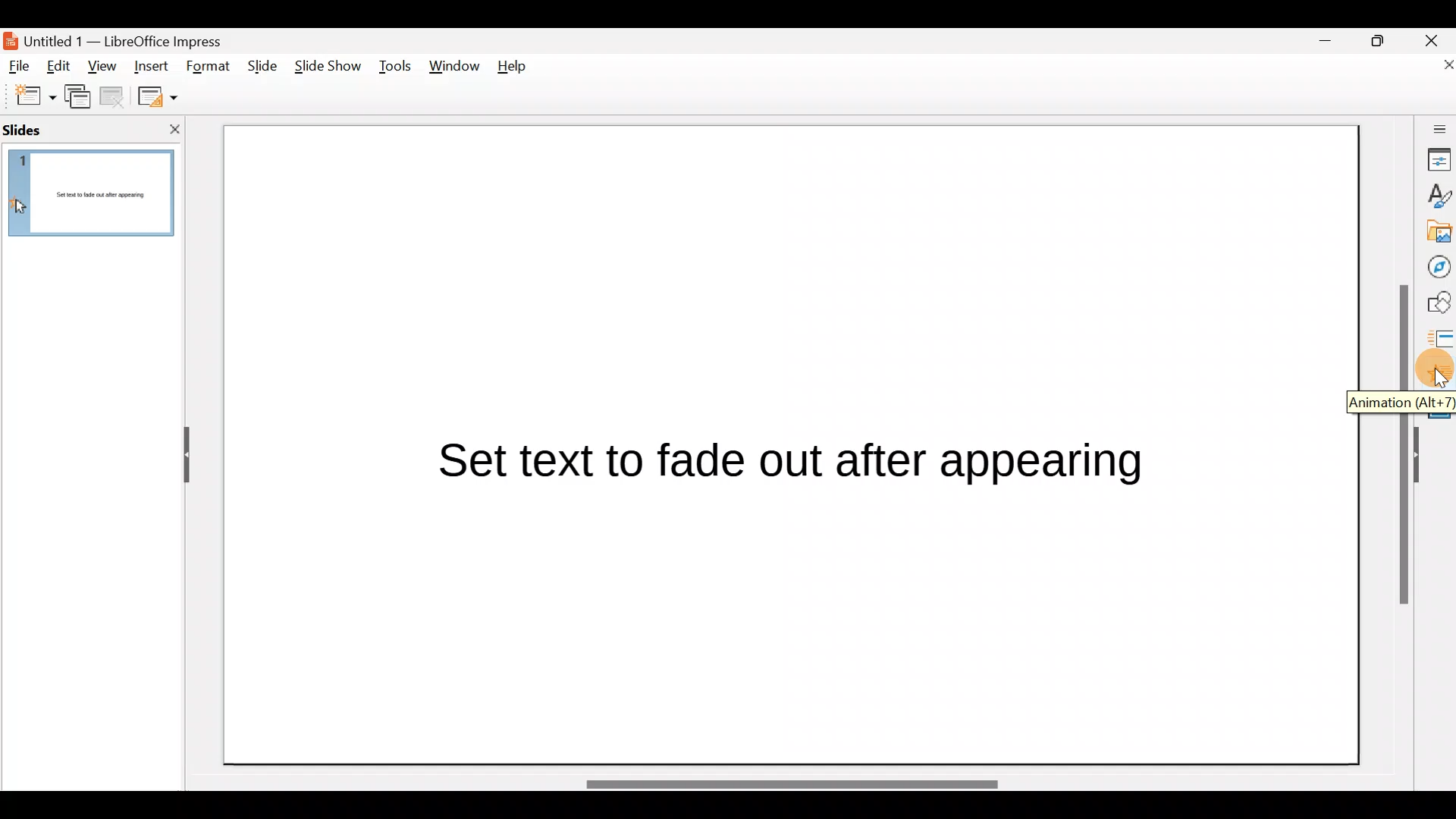 Image resolution: width=1456 pixels, height=819 pixels. I want to click on Window, so click(455, 70).